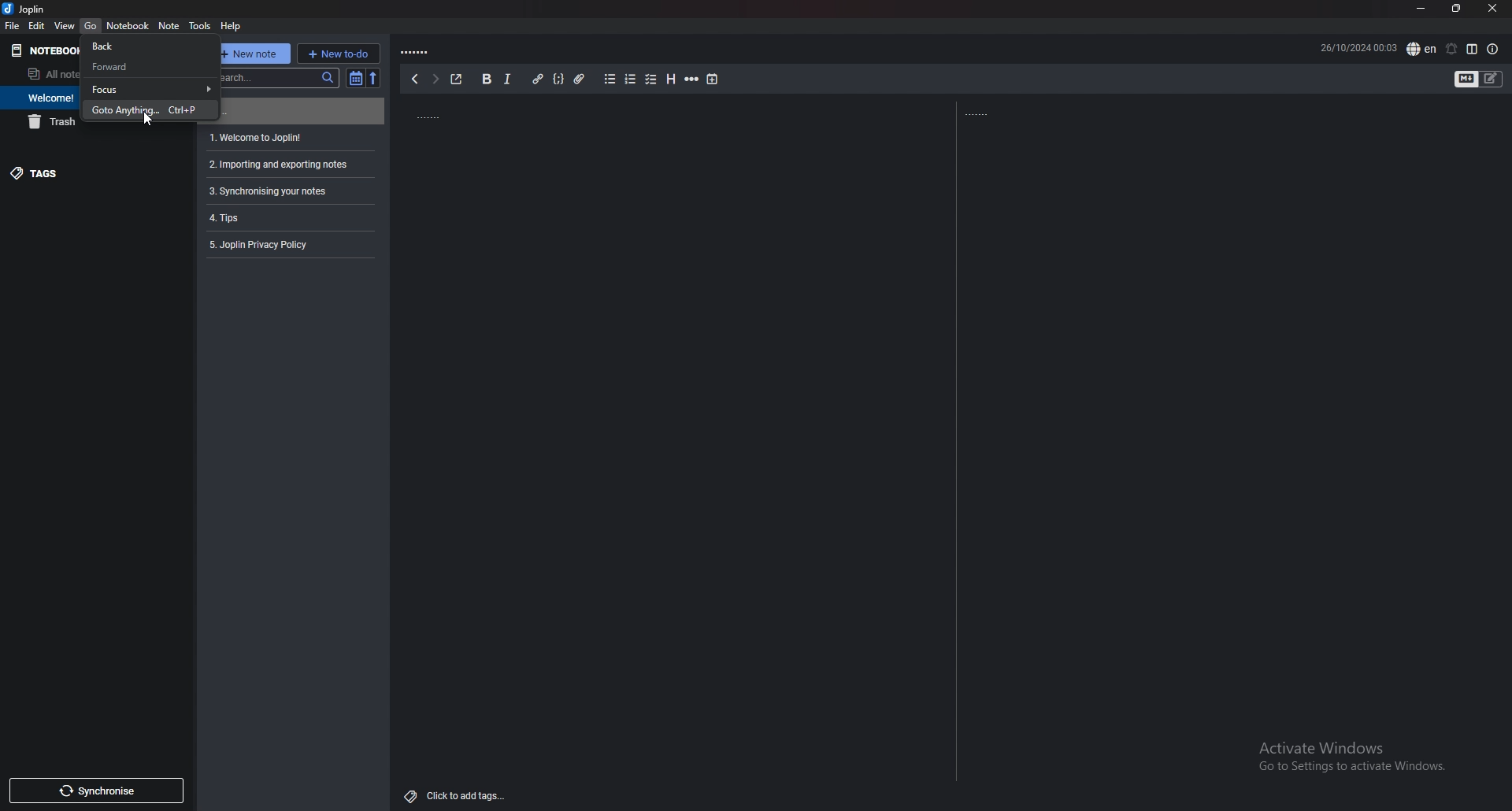  Describe the element at coordinates (376, 78) in the screenshot. I see `reverse sort order` at that location.